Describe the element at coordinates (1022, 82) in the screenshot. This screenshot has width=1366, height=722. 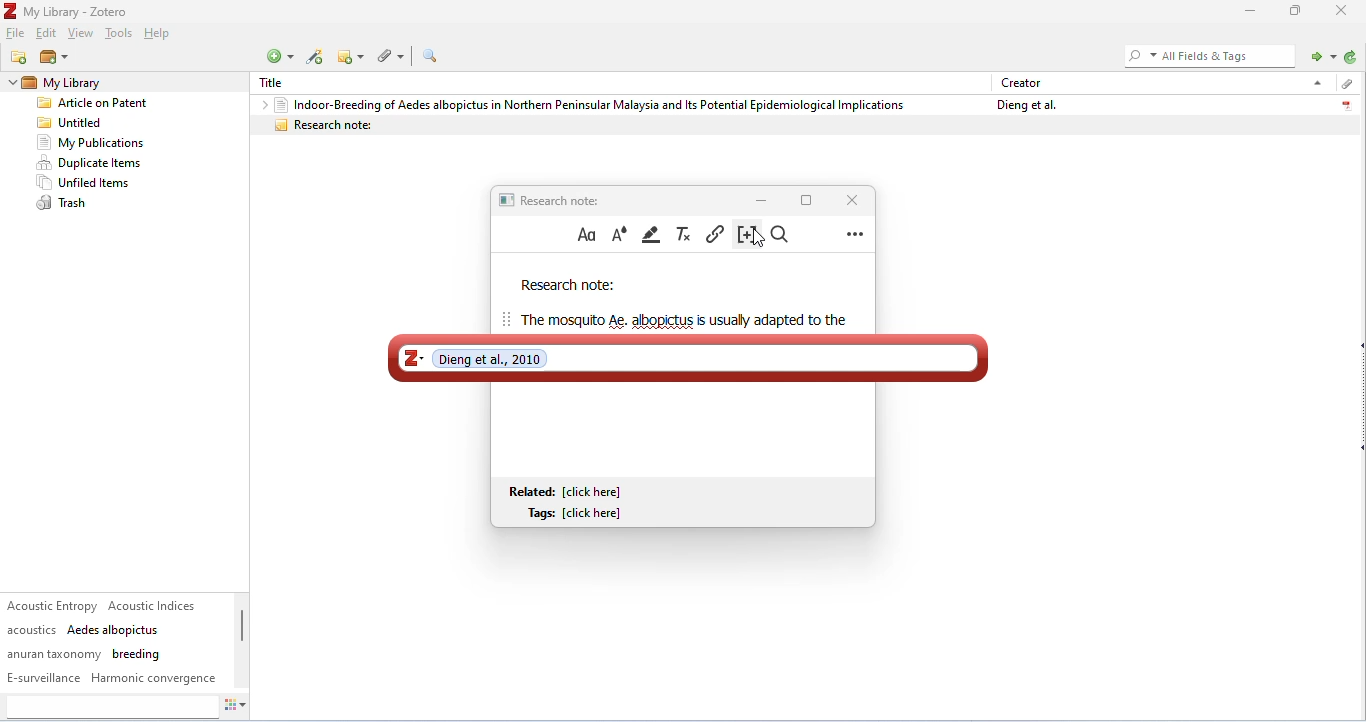
I see `creator` at that location.